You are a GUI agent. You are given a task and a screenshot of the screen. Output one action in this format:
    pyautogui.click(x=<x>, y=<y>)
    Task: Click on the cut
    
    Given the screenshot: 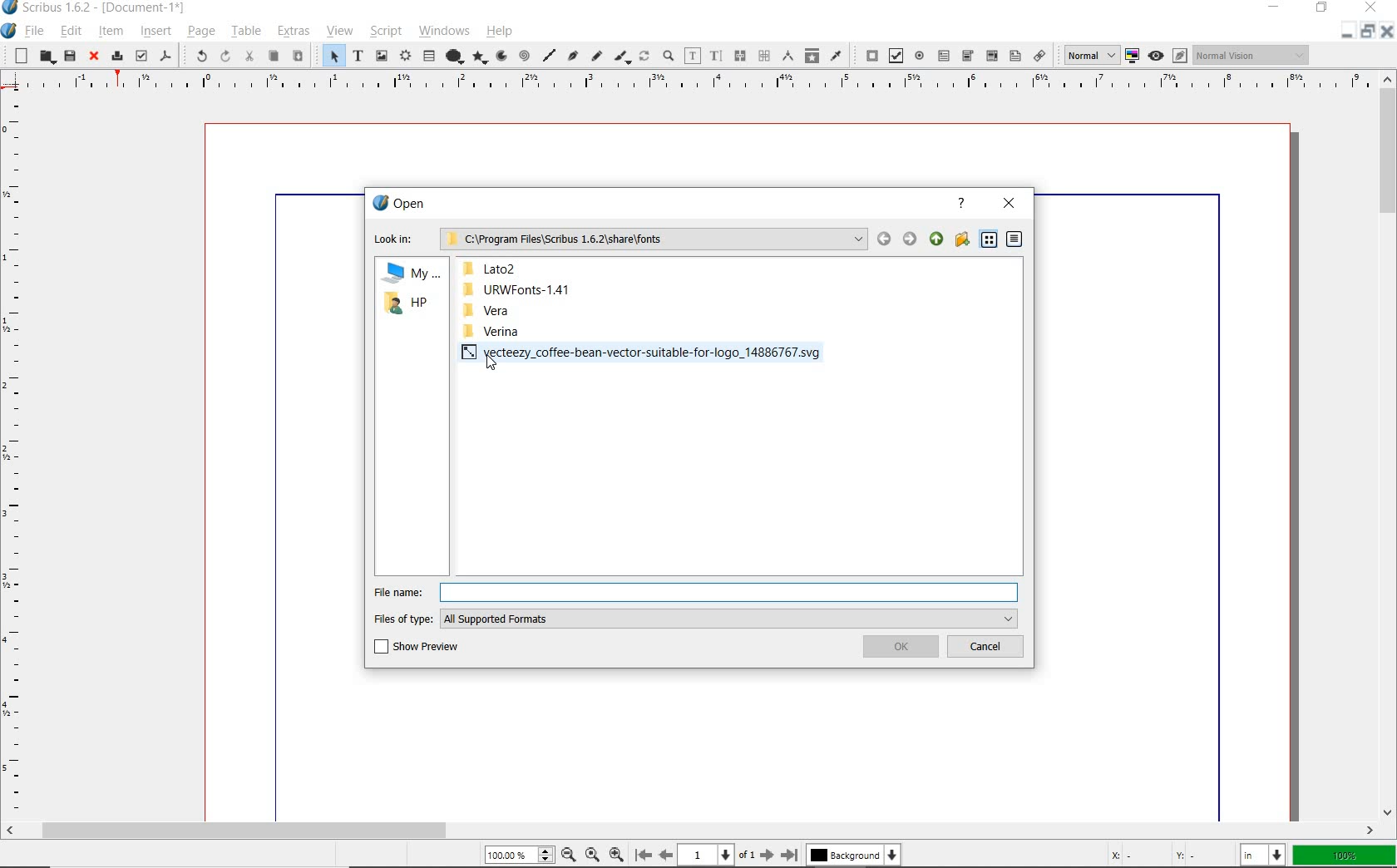 What is the action you would take?
    pyautogui.click(x=251, y=57)
    